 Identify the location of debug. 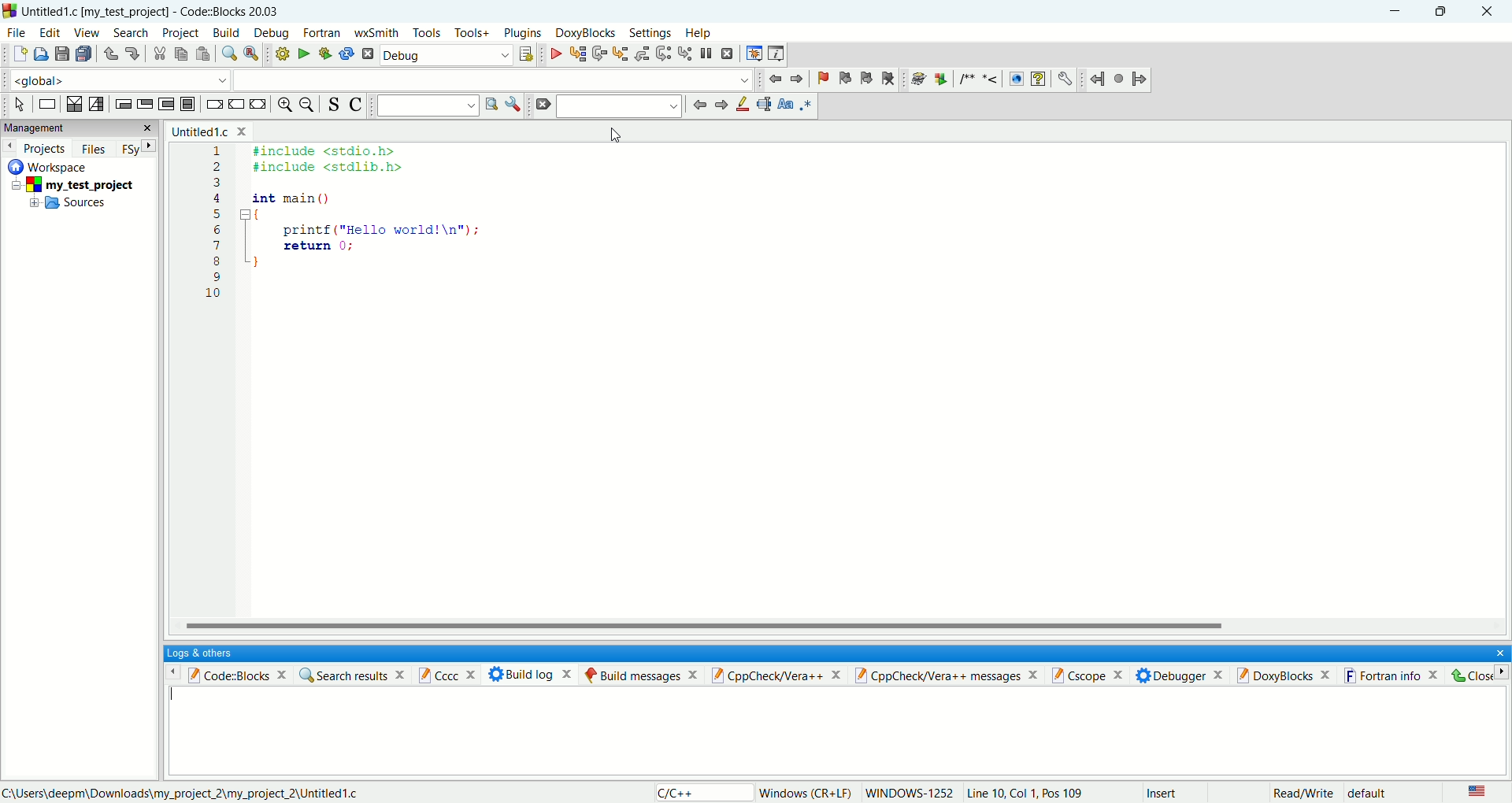
(553, 54).